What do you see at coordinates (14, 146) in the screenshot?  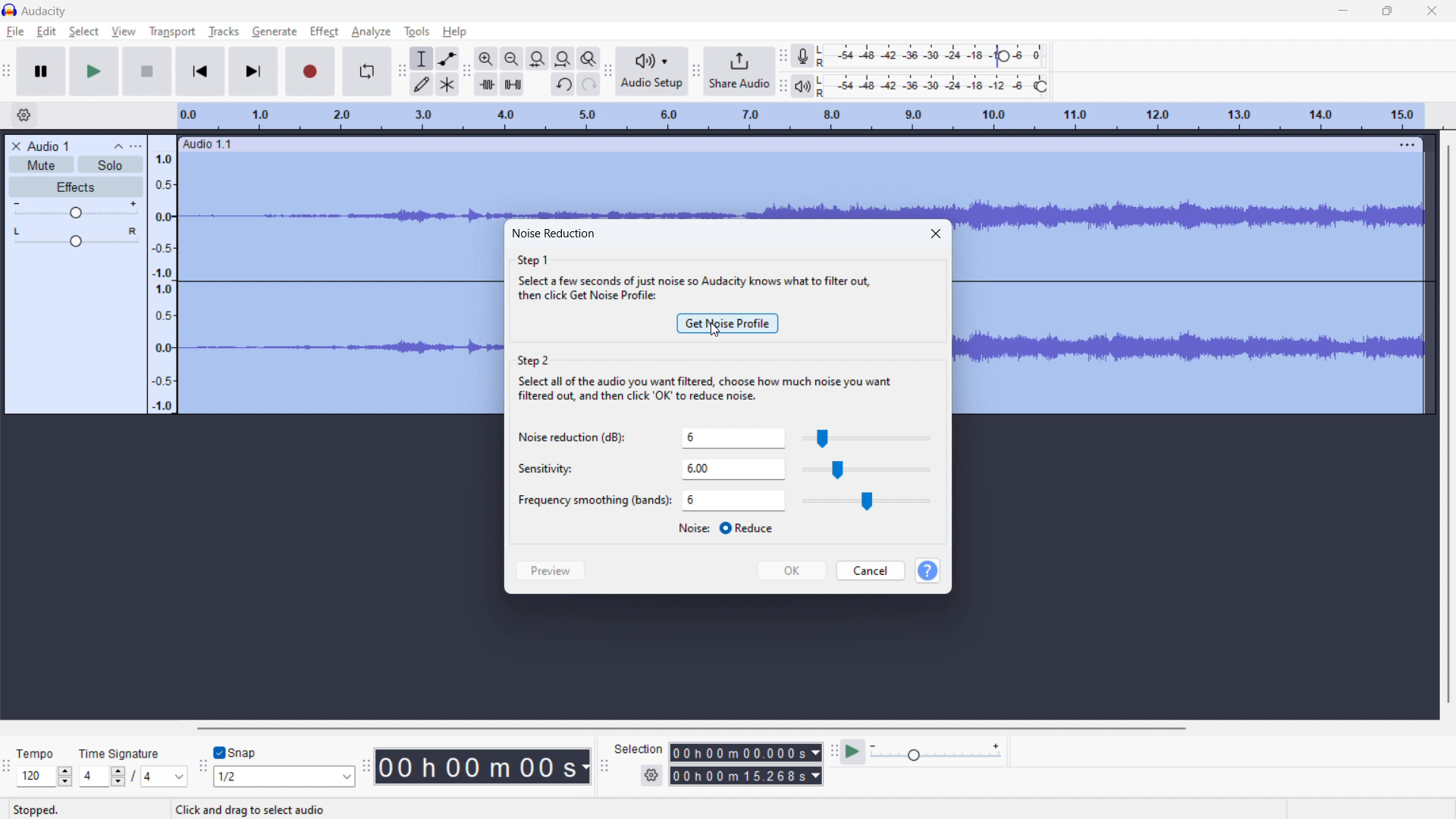 I see `delete audio` at bounding box center [14, 146].